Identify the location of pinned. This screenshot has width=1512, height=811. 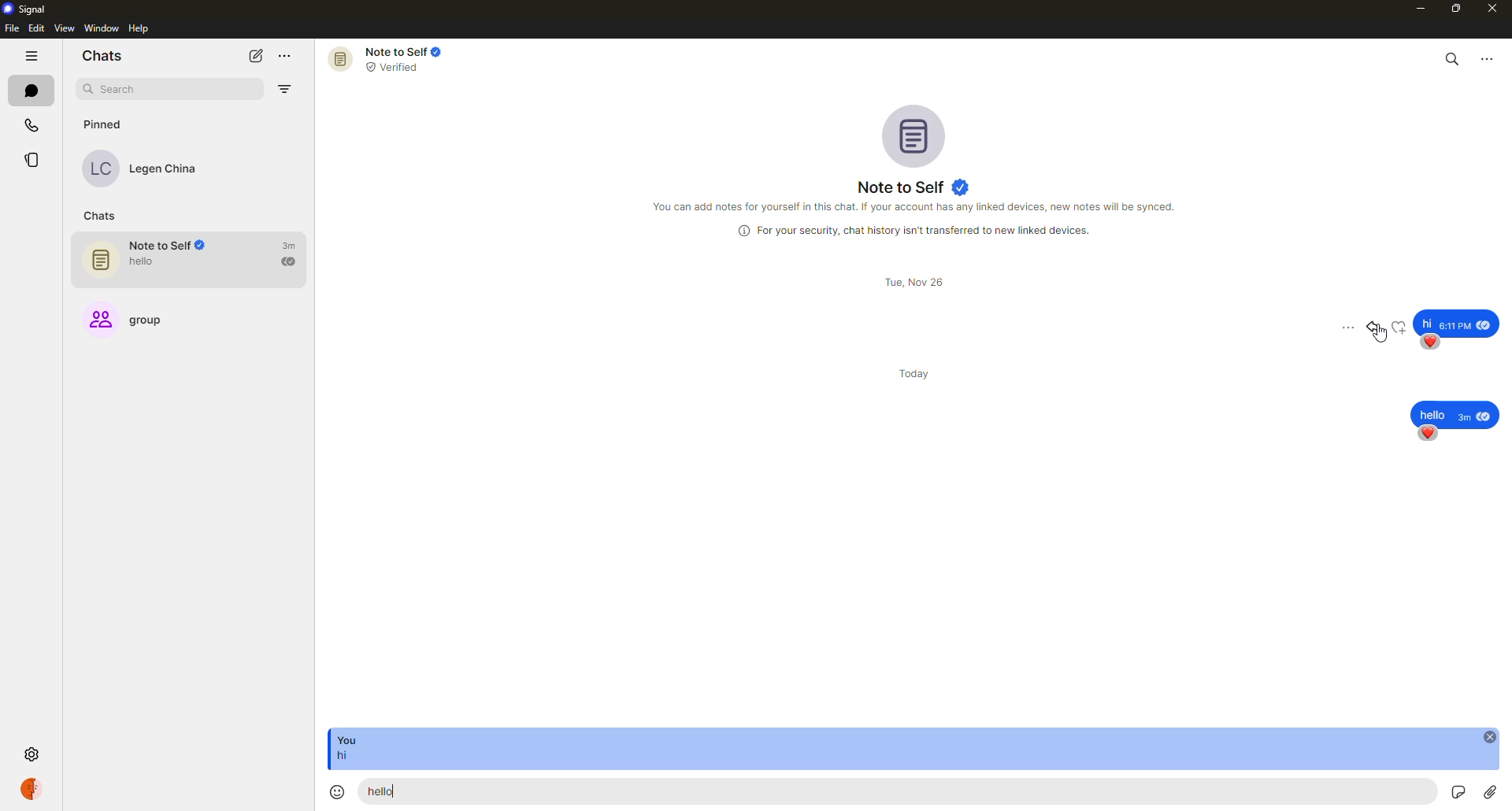
(103, 126).